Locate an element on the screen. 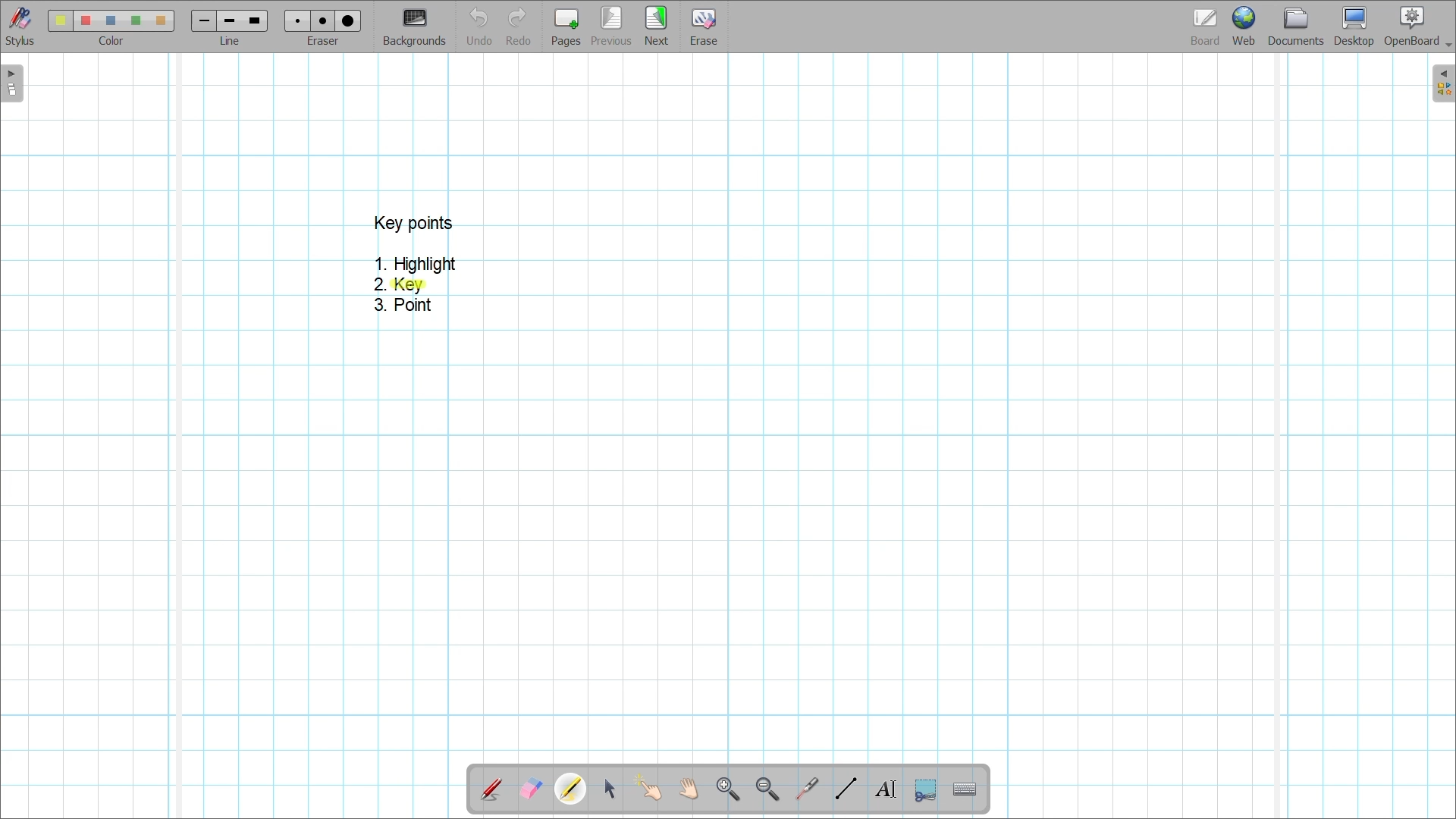 The width and height of the screenshot is (1456, 819). Display virtual keyboard is located at coordinates (965, 789).